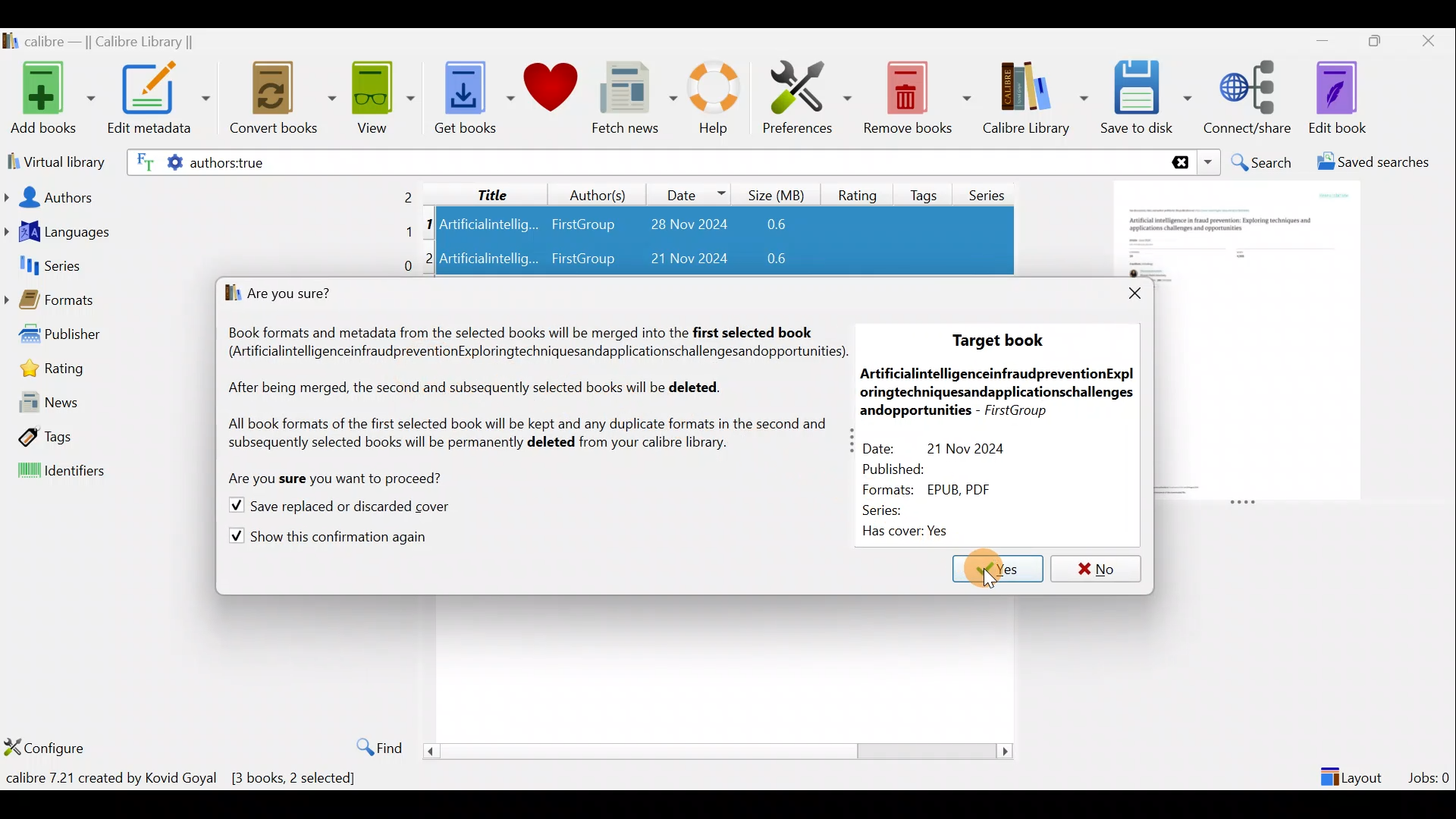 The image size is (1456, 819). What do you see at coordinates (1210, 162) in the screenshot?
I see `Search dropdown` at bounding box center [1210, 162].